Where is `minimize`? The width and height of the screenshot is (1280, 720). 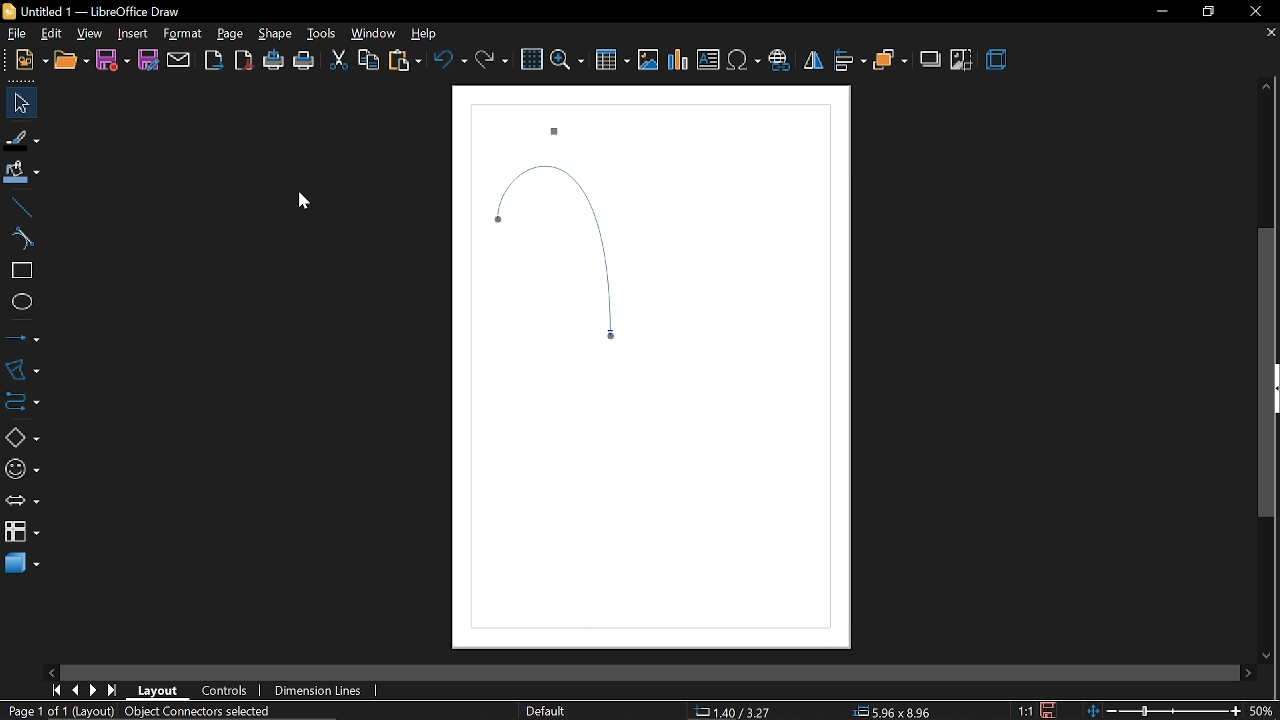 minimize is located at coordinates (1158, 12).